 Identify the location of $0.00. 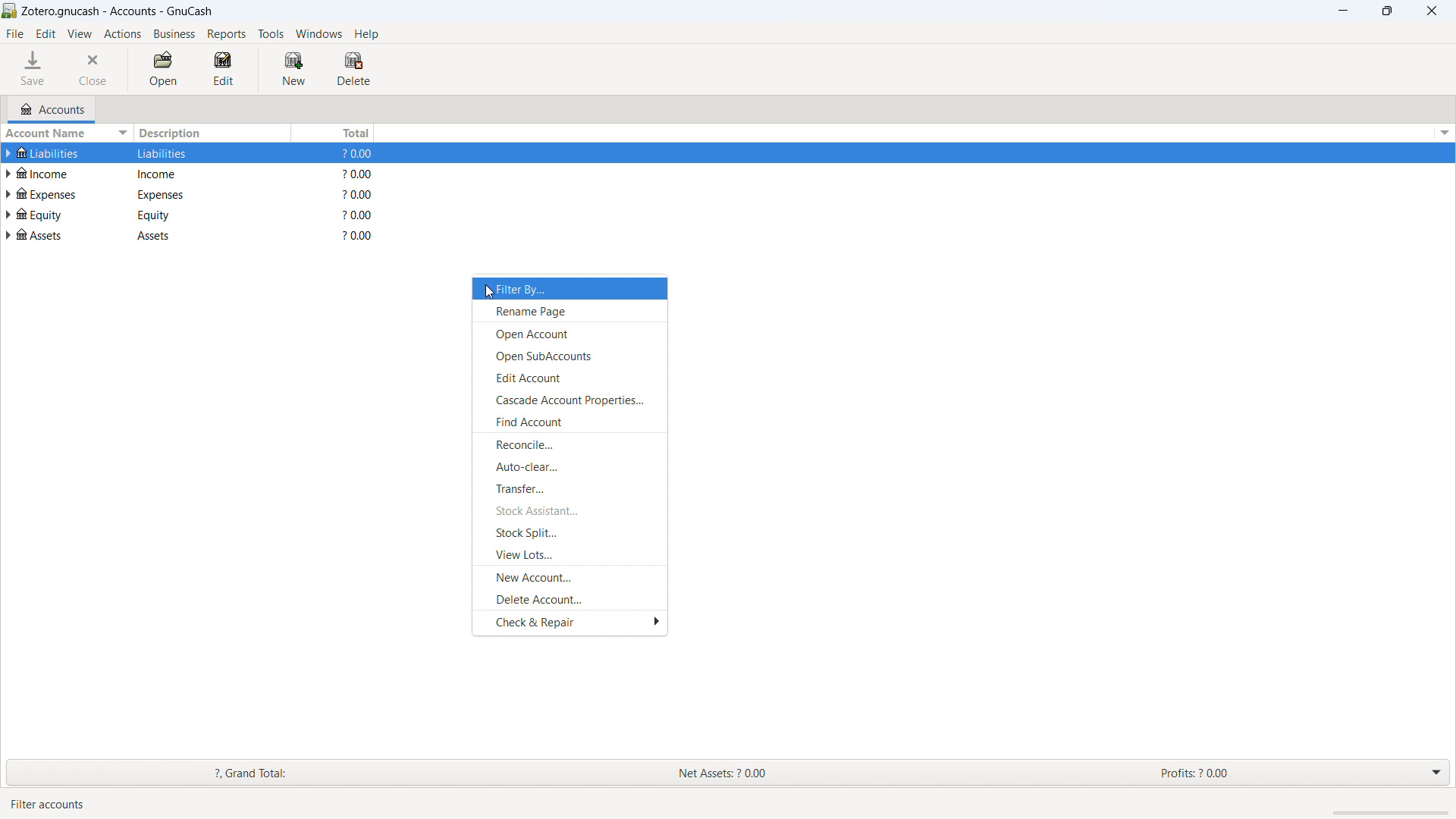
(362, 174).